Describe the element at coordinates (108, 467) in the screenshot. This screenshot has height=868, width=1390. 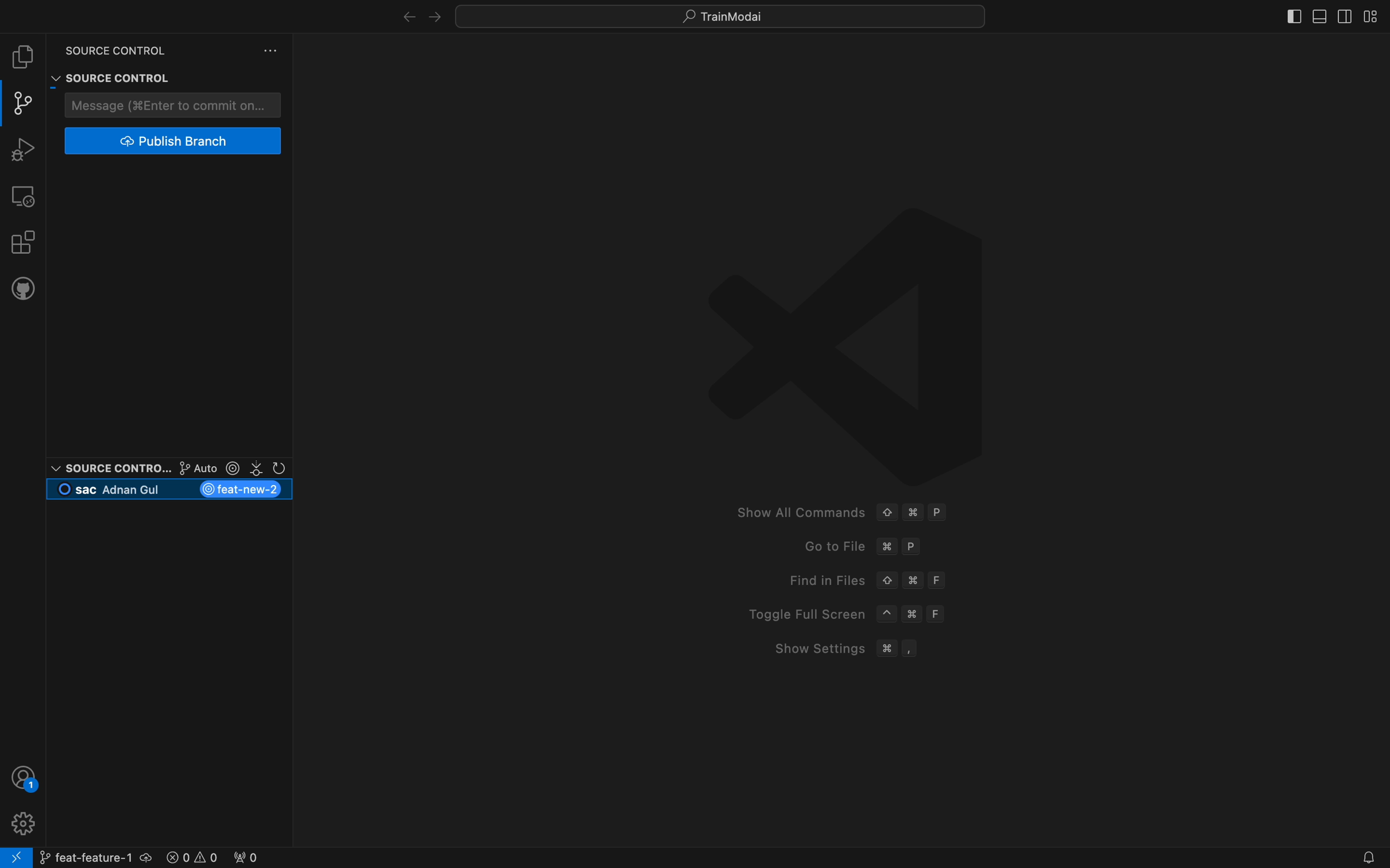
I see `Source control` at that location.